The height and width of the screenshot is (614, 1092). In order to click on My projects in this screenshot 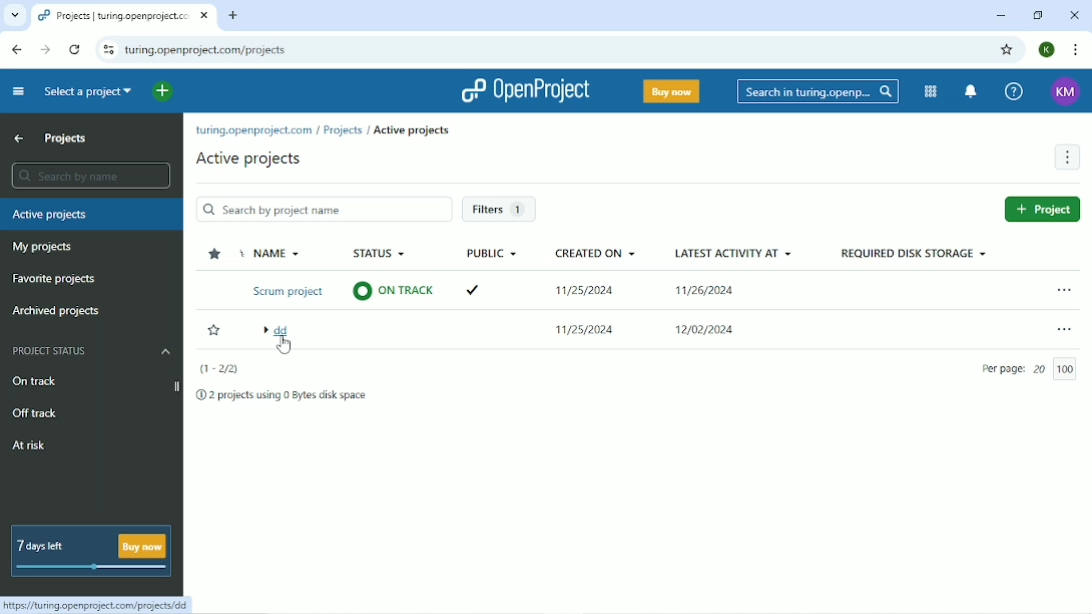, I will do `click(44, 247)`.